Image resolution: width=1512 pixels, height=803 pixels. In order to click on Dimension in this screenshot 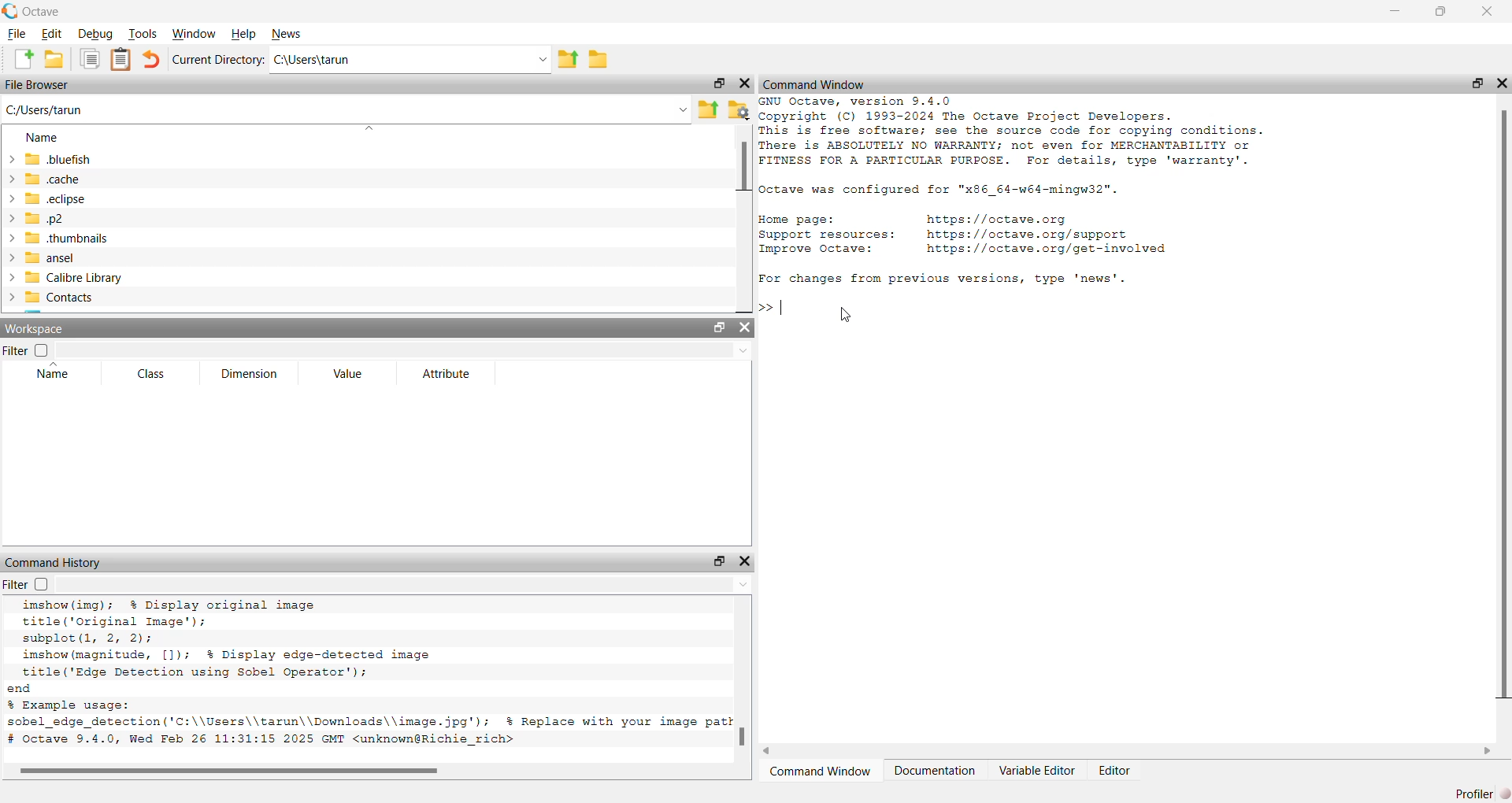, I will do `click(252, 372)`.